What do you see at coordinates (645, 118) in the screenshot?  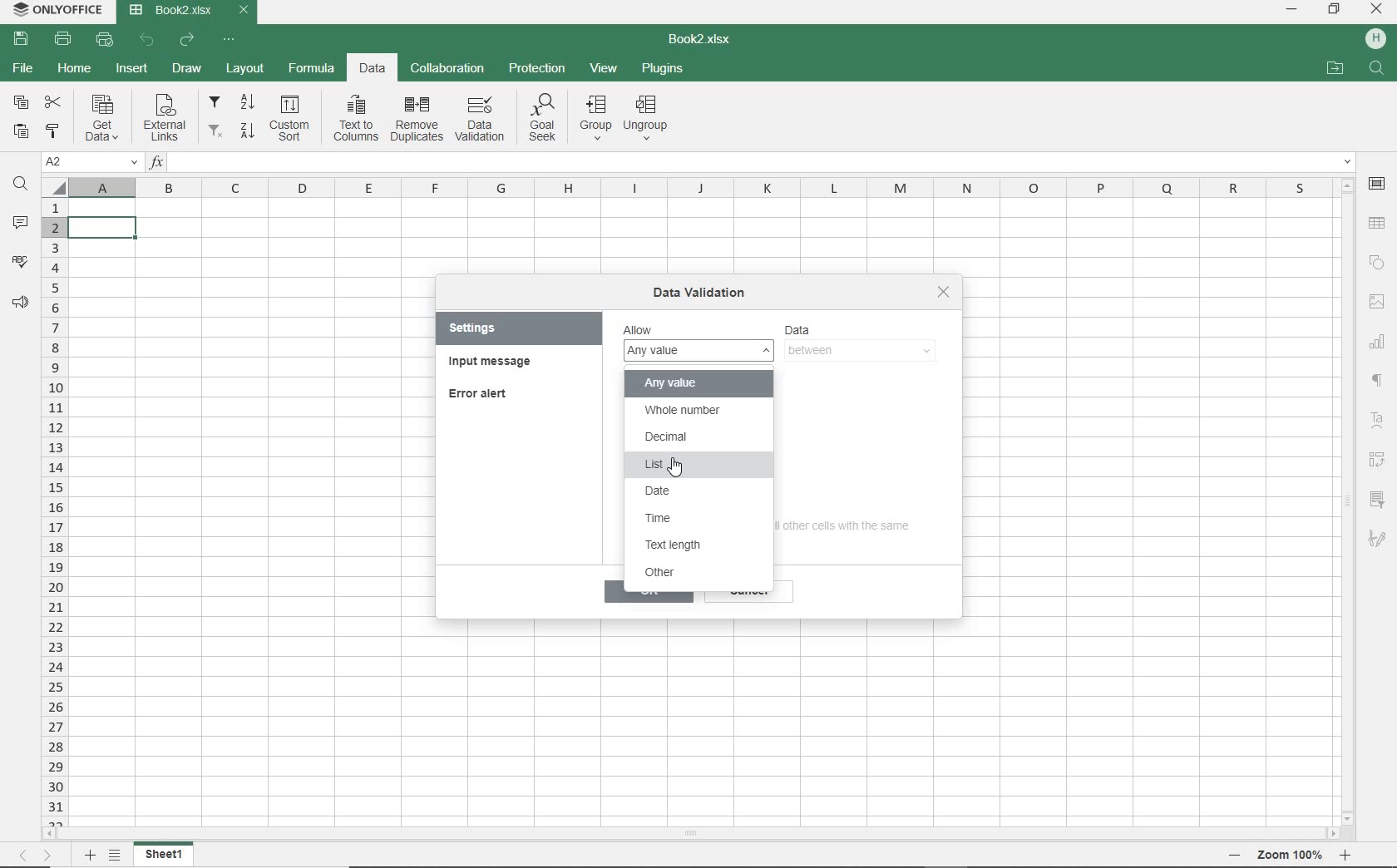 I see `ungroup` at bounding box center [645, 118].